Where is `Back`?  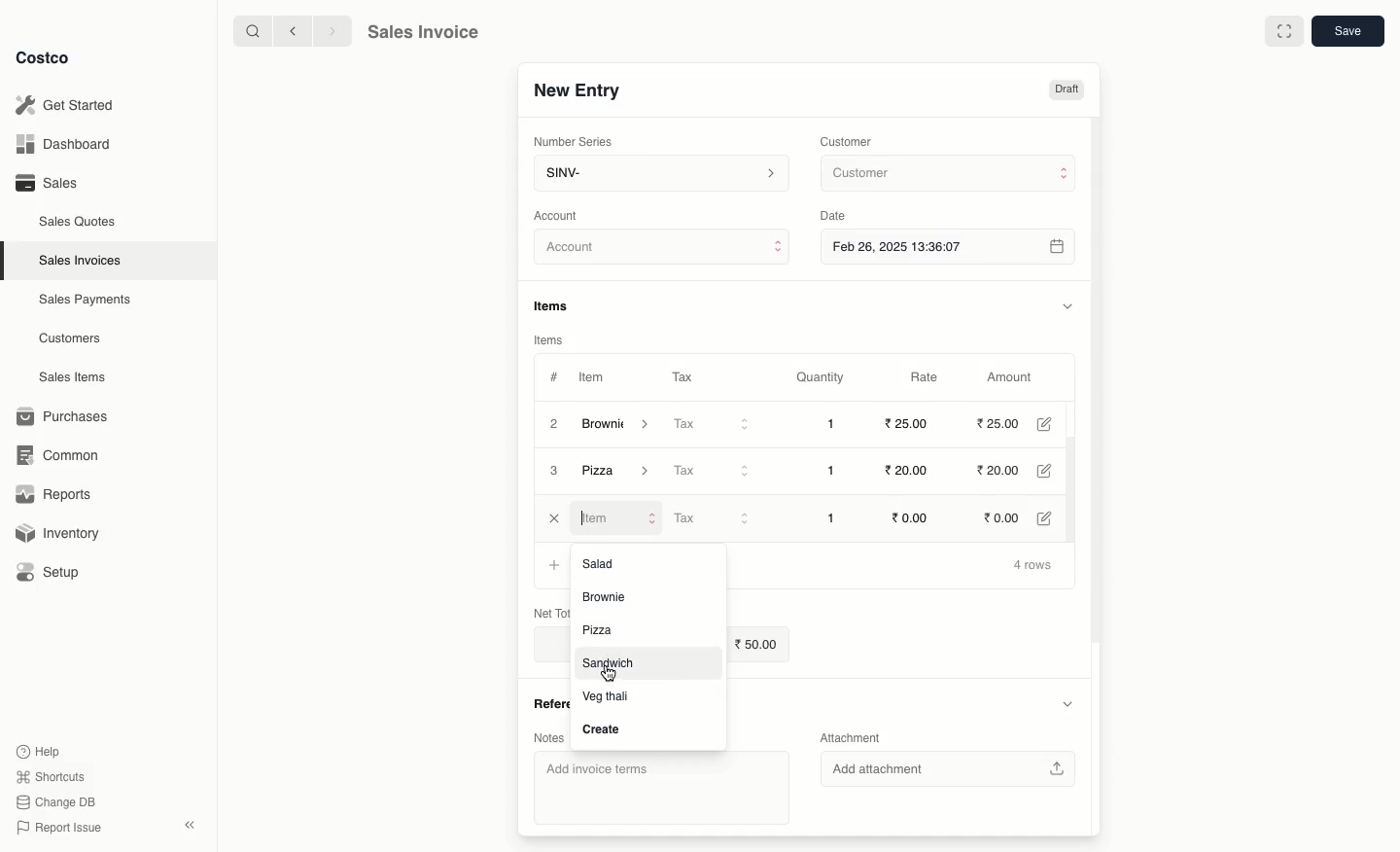 Back is located at coordinates (291, 31).